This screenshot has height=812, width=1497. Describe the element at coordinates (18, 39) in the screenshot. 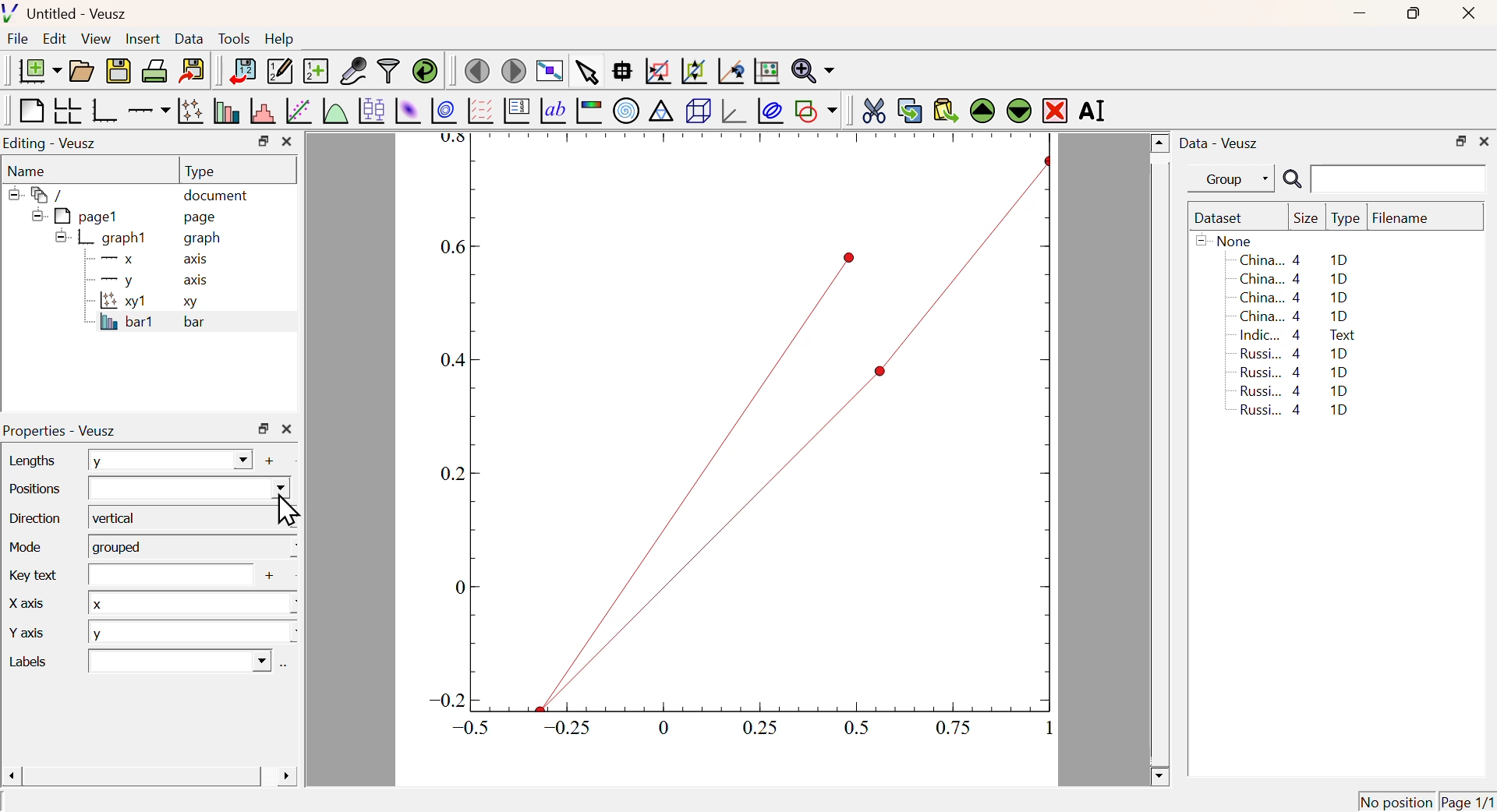

I see `File` at that location.